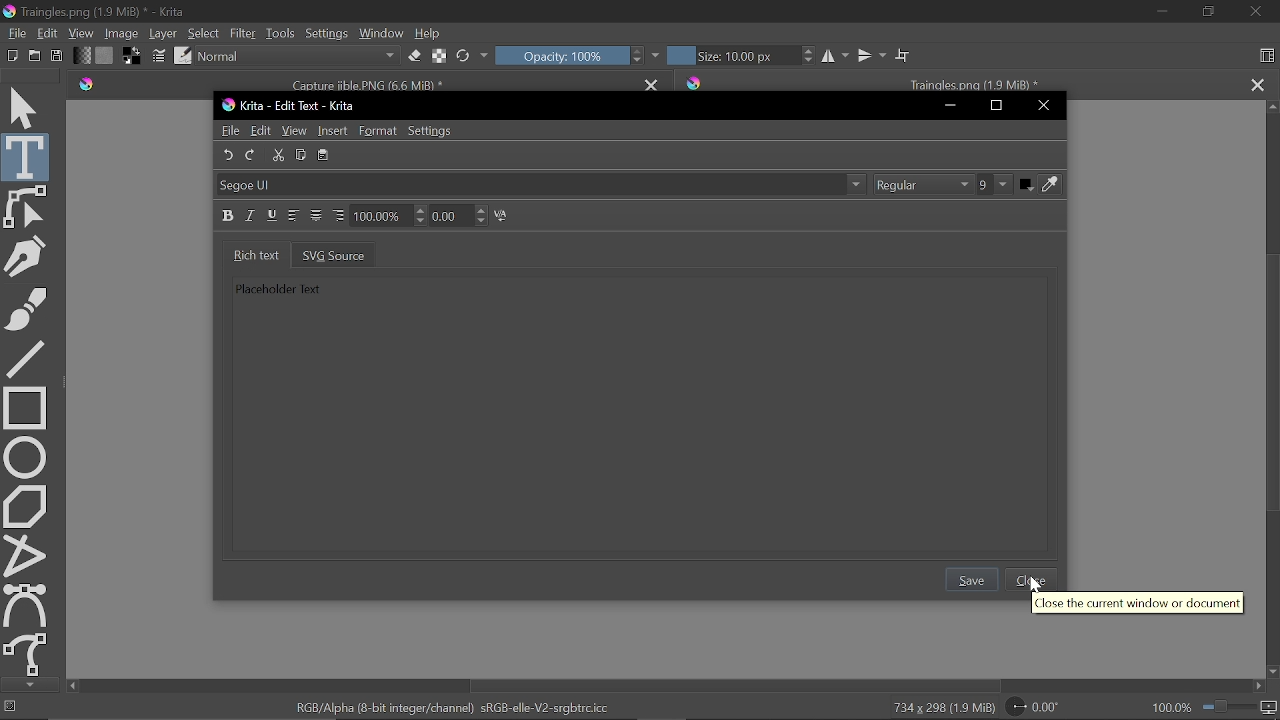 Image resolution: width=1280 pixels, height=720 pixels. Describe the element at coordinates (252, 215) in the screenshot. I see `Italic` at that location.